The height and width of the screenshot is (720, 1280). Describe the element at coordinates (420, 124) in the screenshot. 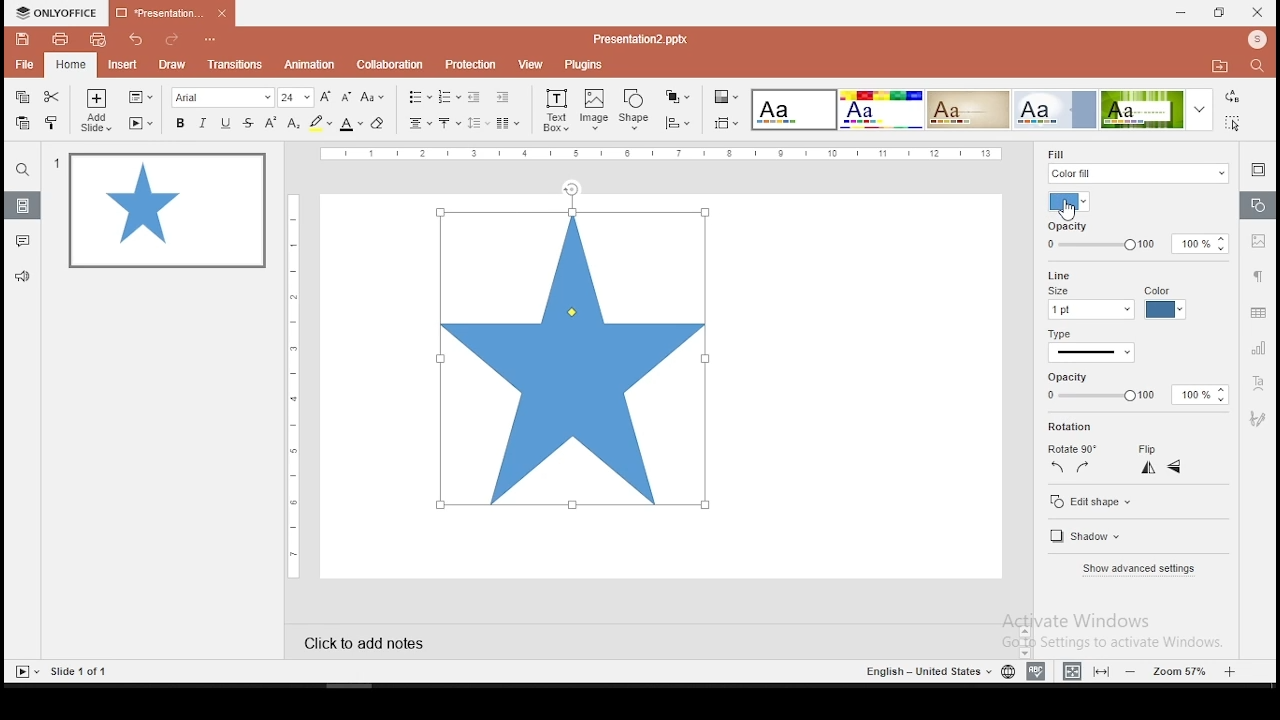

I see `horizontal alignment` at that location.